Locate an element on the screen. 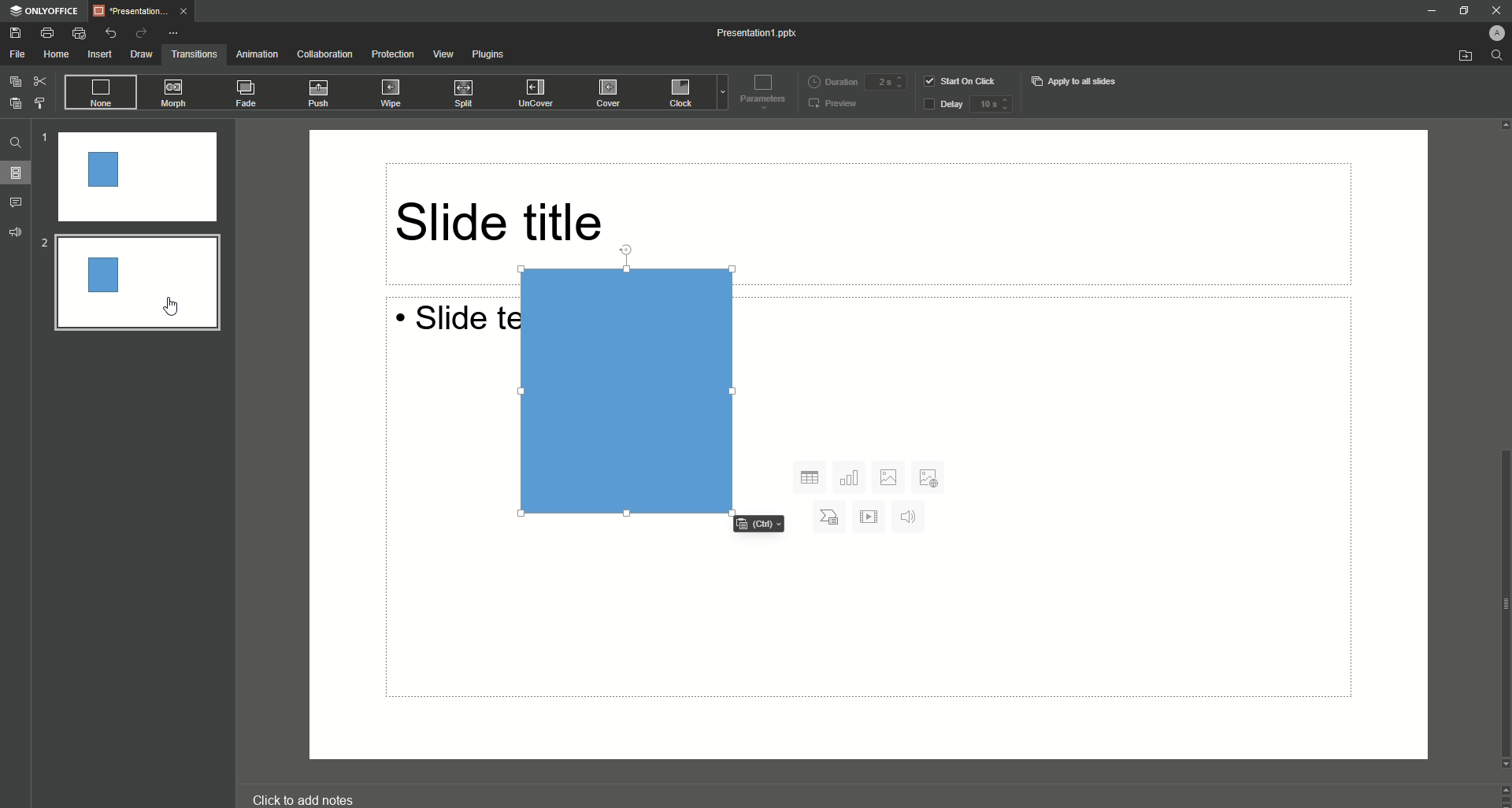 The height and width of the screenshot is (808, 1512). Down is located at coordinates (1503, 762).